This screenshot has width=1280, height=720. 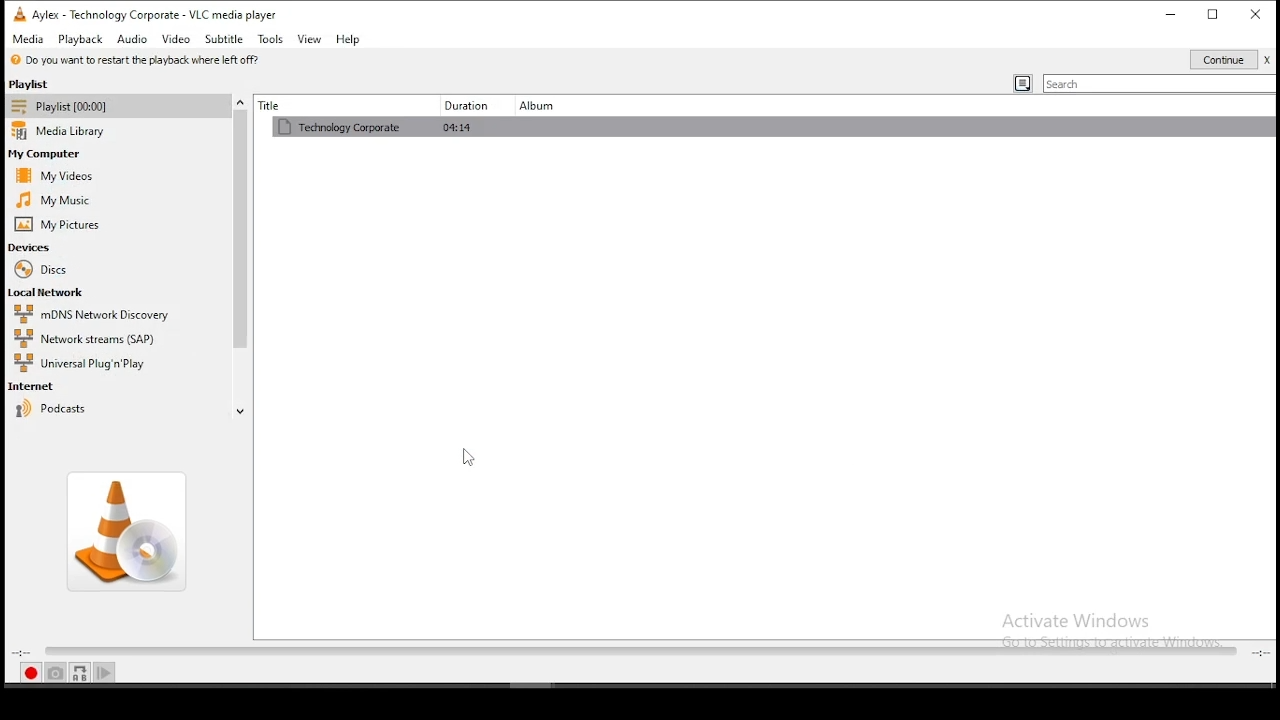 I want to click on title, so click(x=328, y=105).